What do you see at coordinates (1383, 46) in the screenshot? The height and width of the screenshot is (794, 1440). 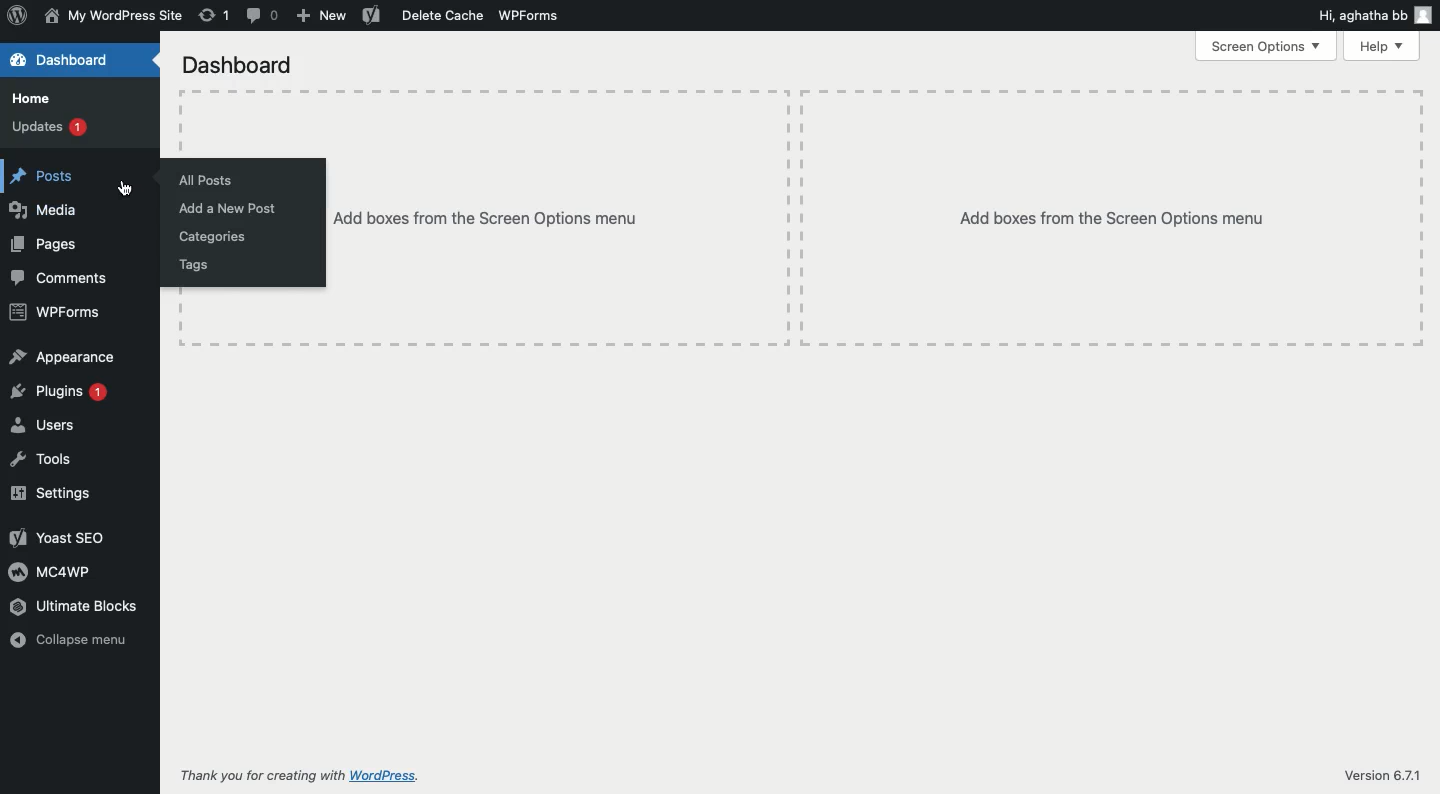 I see `Help ` at bounding box center [1383, 46].